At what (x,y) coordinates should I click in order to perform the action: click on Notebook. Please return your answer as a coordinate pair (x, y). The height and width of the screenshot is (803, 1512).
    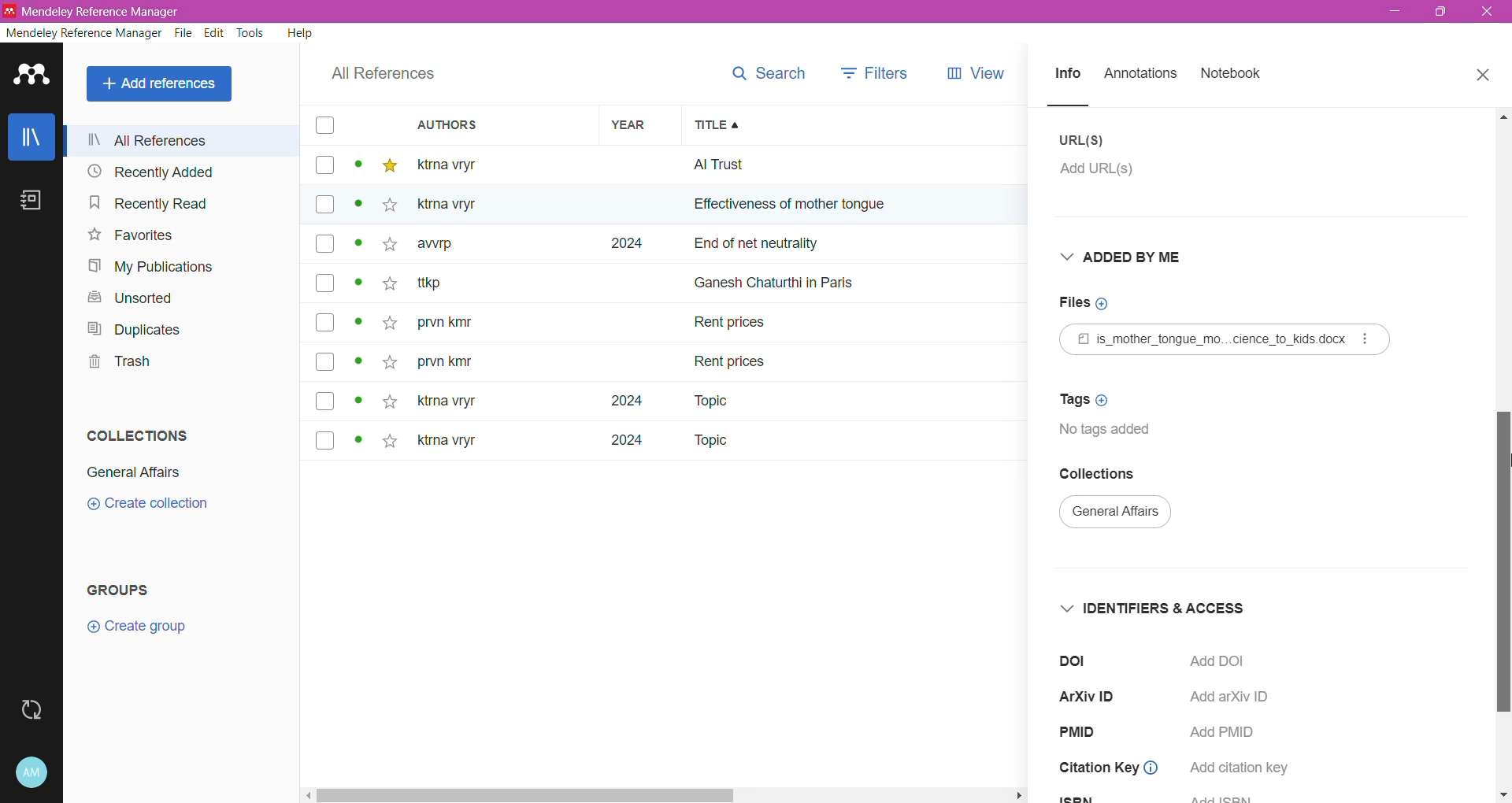
    Looking at the image, I should click on (31, 200).